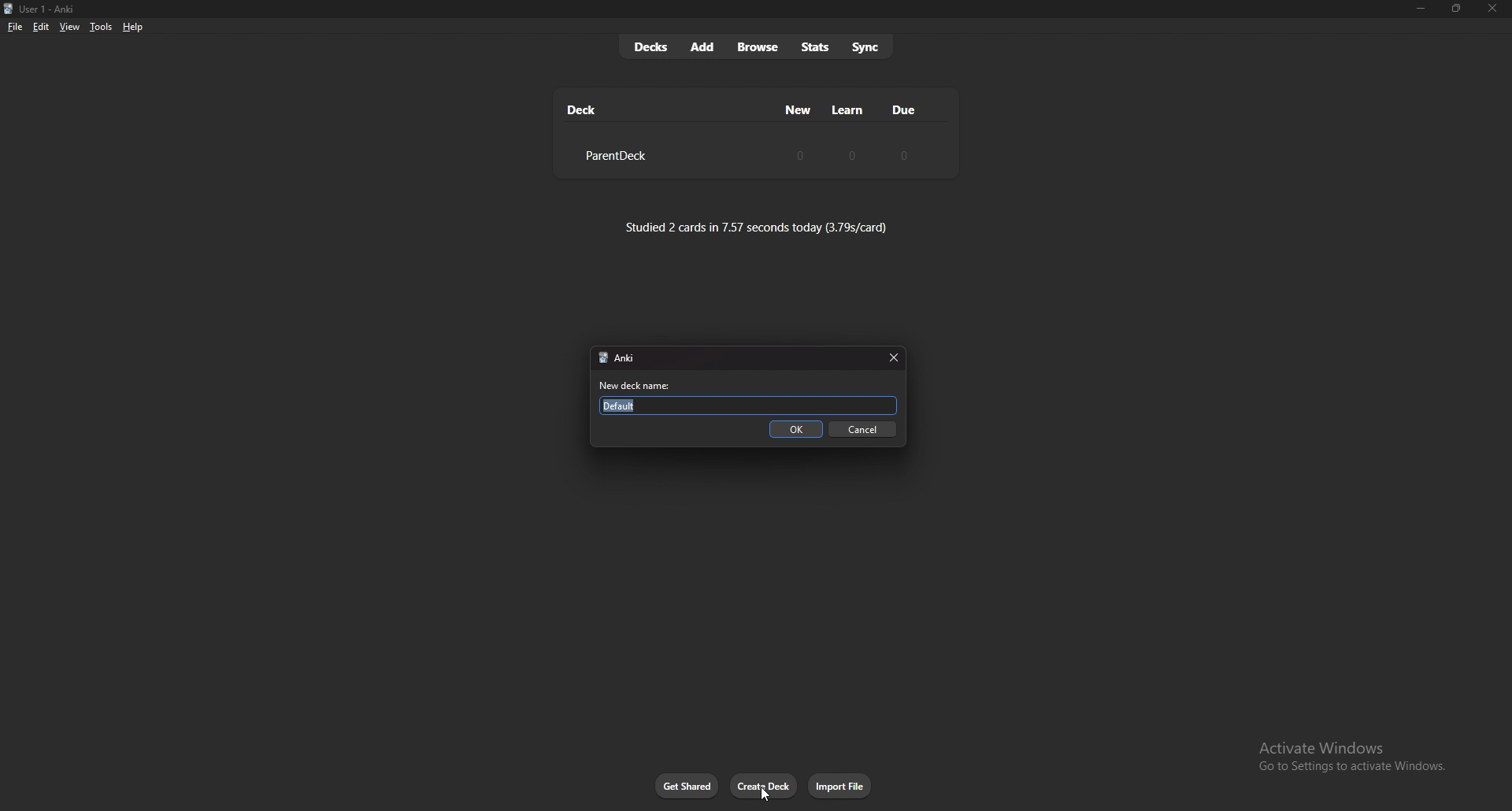 This screenshot has height=811, width=1512. Describe the element at coordinates (798, 430) in the screenshot. I see `ok` at that location.